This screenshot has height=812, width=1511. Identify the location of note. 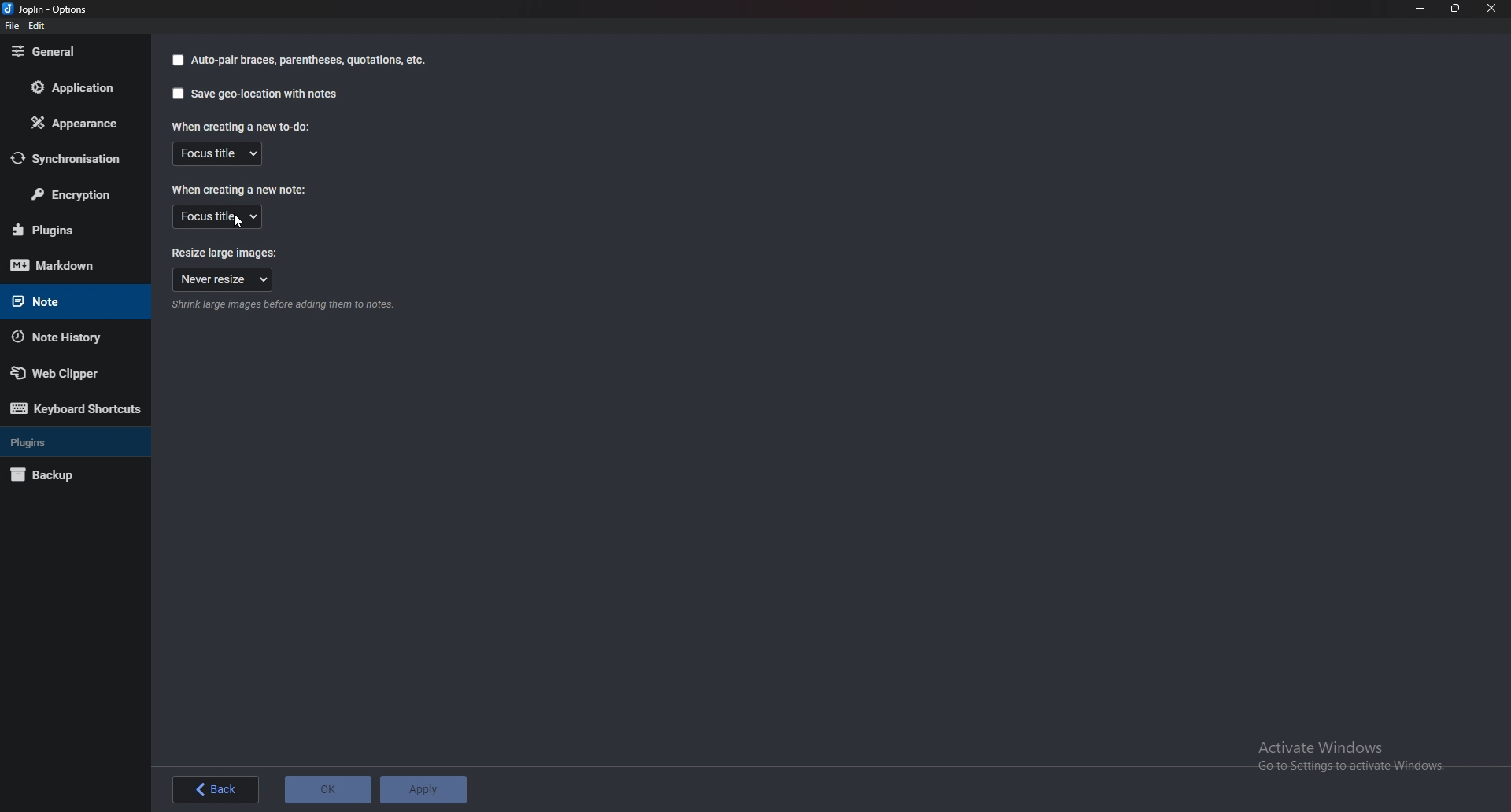
(68, 301).